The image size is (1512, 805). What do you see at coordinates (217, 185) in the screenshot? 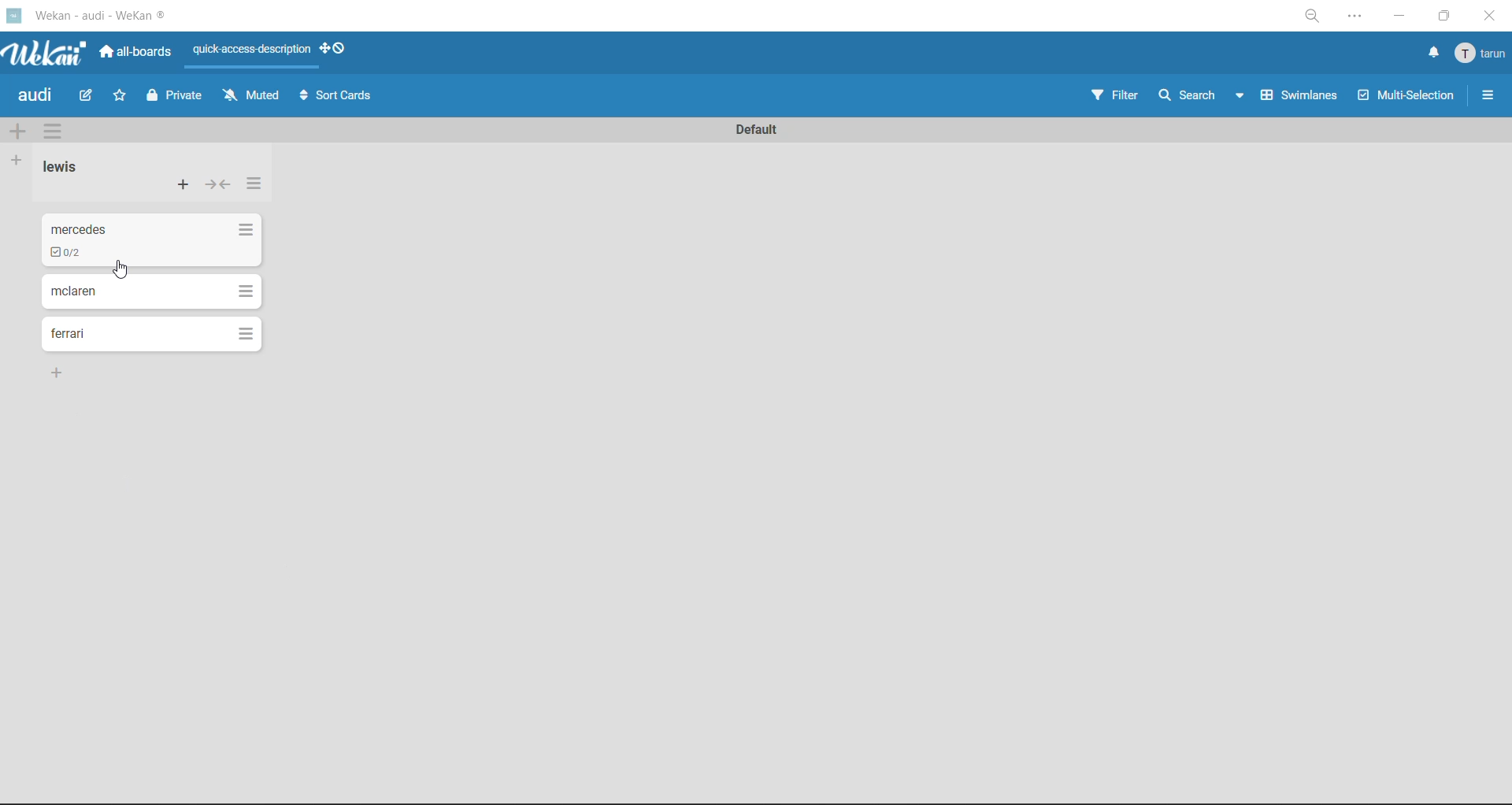
I see `collapse` at bounding box center [217, 185].